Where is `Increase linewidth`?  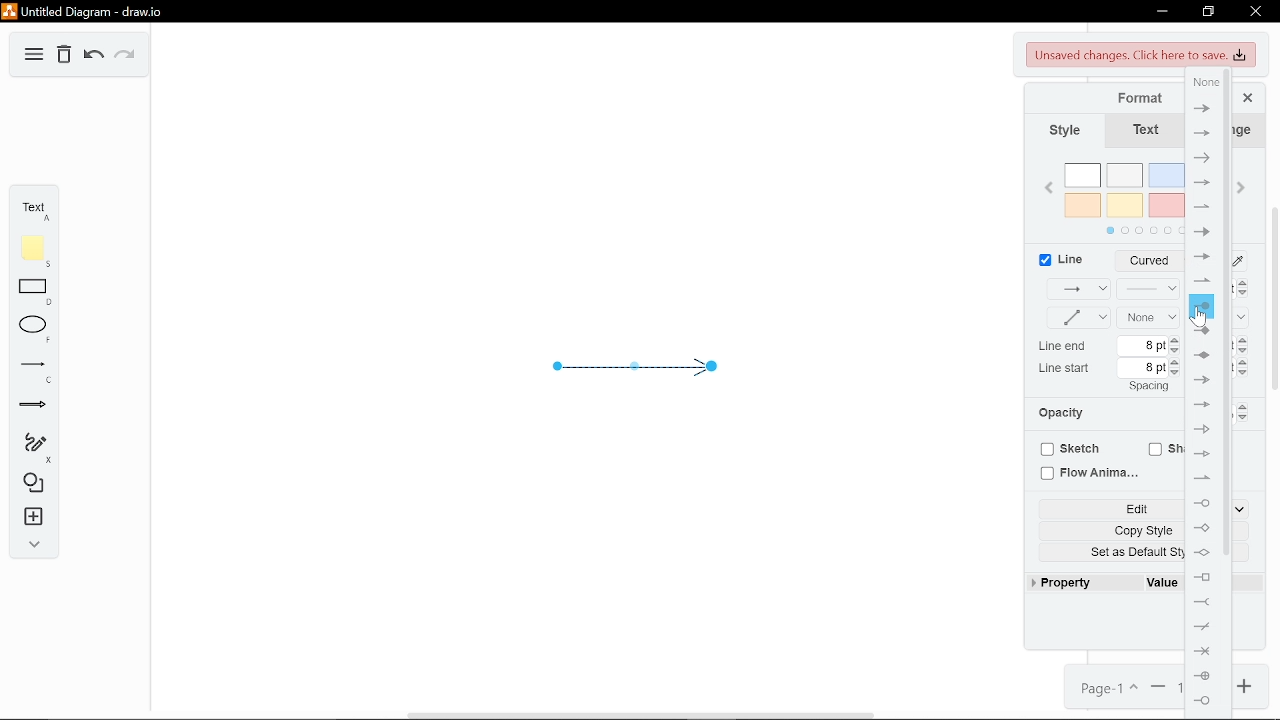
Increase linewidth is located at coordinates (1244, 283).